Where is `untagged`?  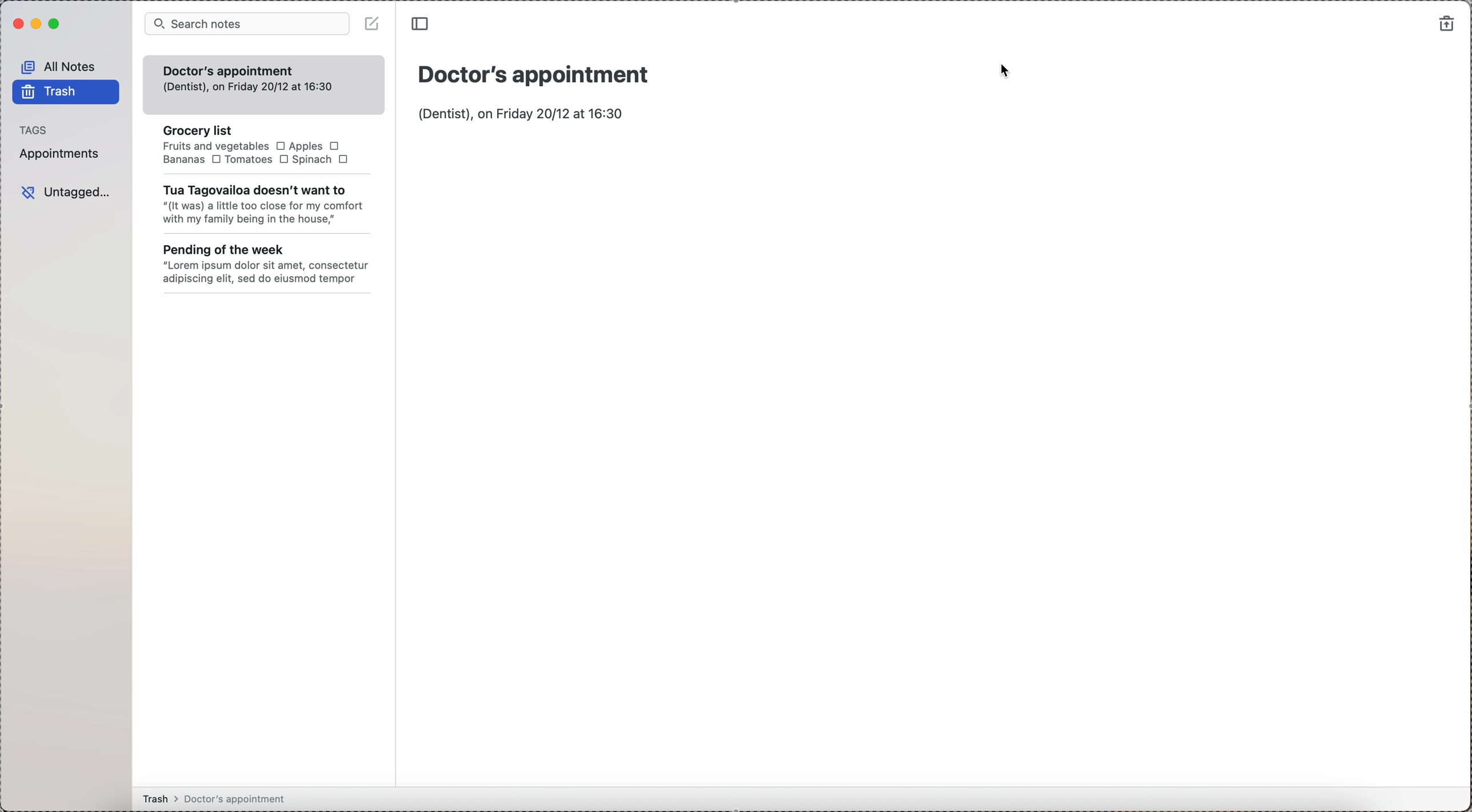
untagged is located at coordinates (65, 190).